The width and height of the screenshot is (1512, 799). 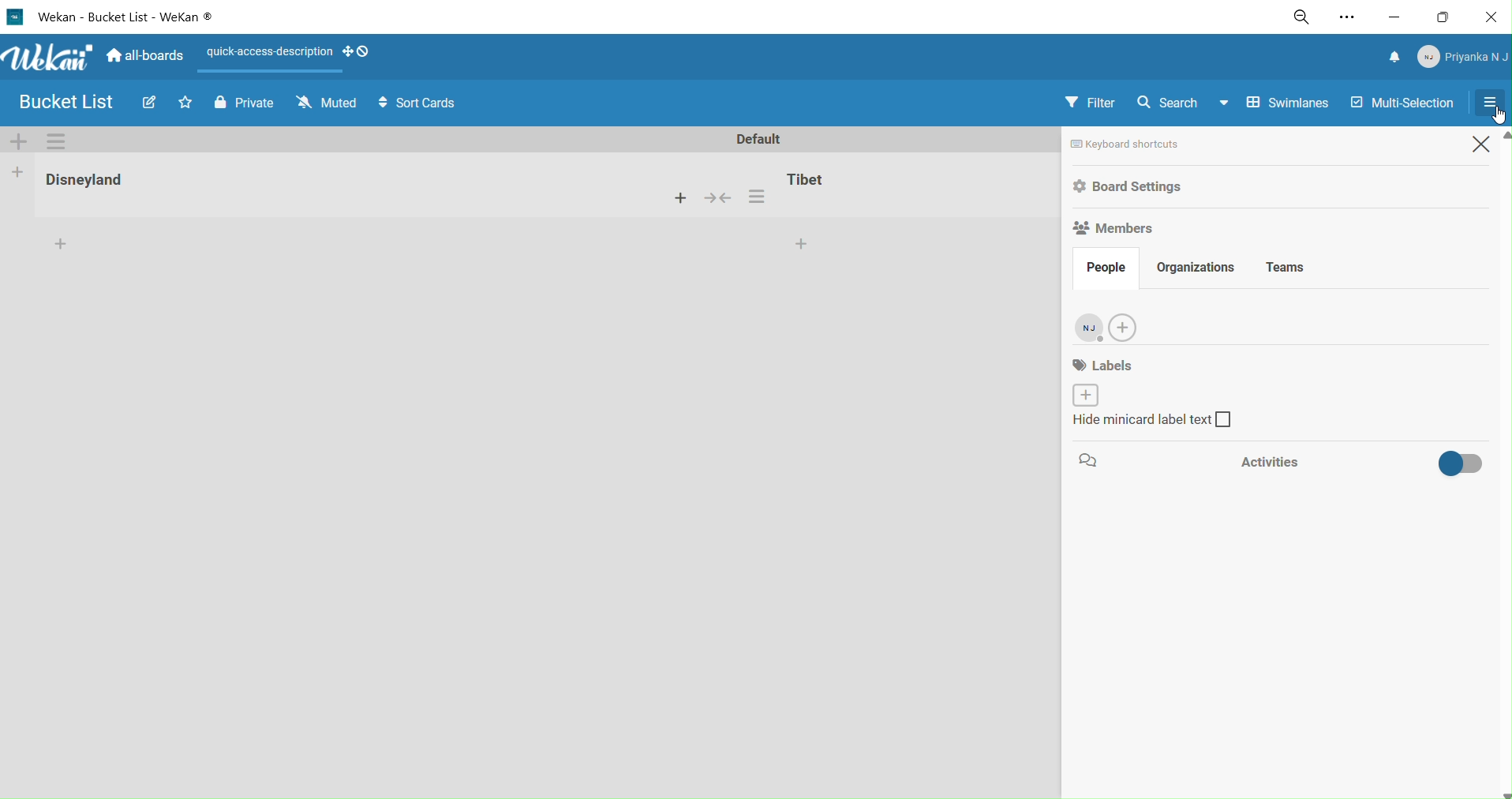 I want to click on add swimlane, so click(x=21, y=140).